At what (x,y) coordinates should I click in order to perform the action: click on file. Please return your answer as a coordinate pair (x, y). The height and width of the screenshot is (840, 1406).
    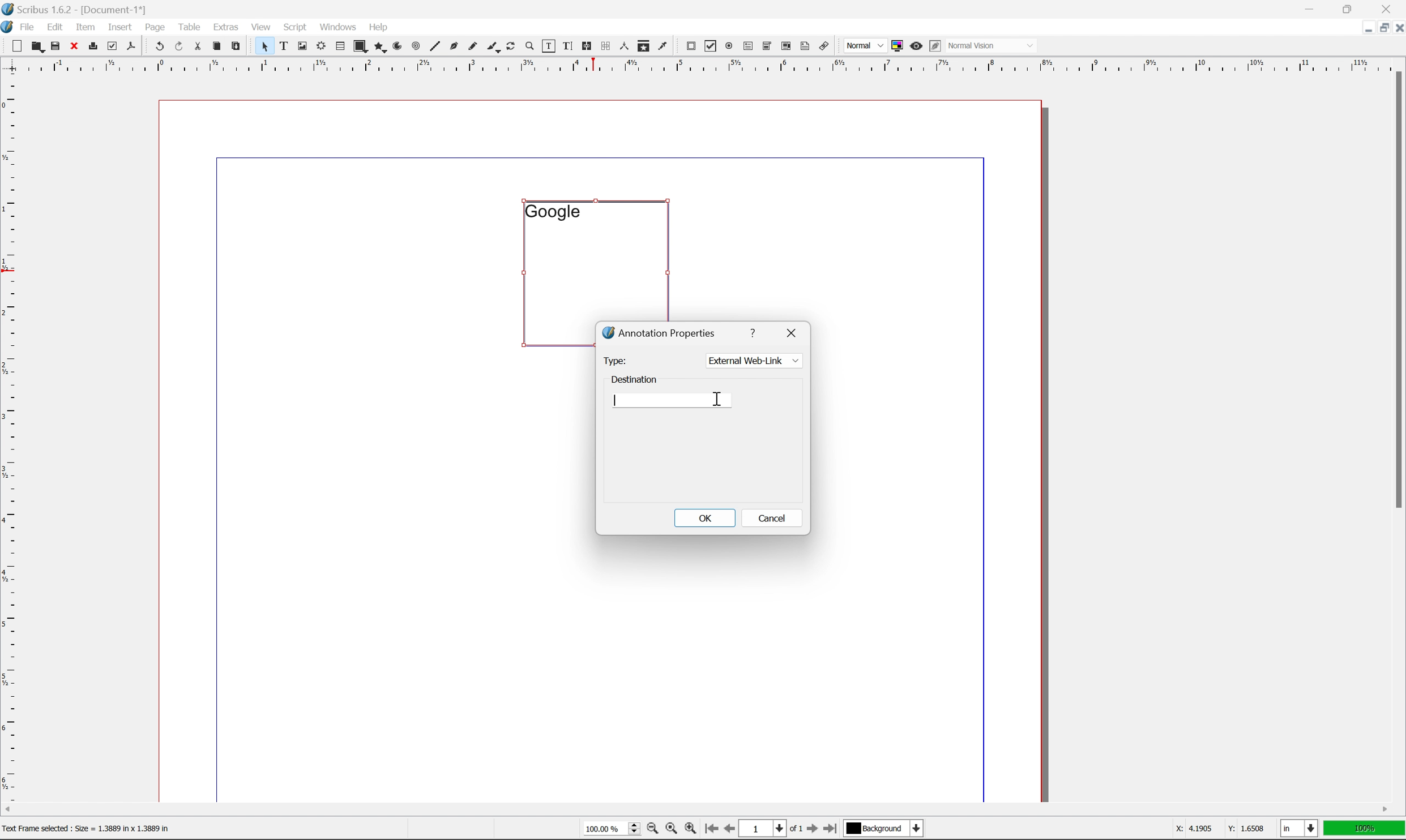
    Looking at the image, I should click on (28, 27).